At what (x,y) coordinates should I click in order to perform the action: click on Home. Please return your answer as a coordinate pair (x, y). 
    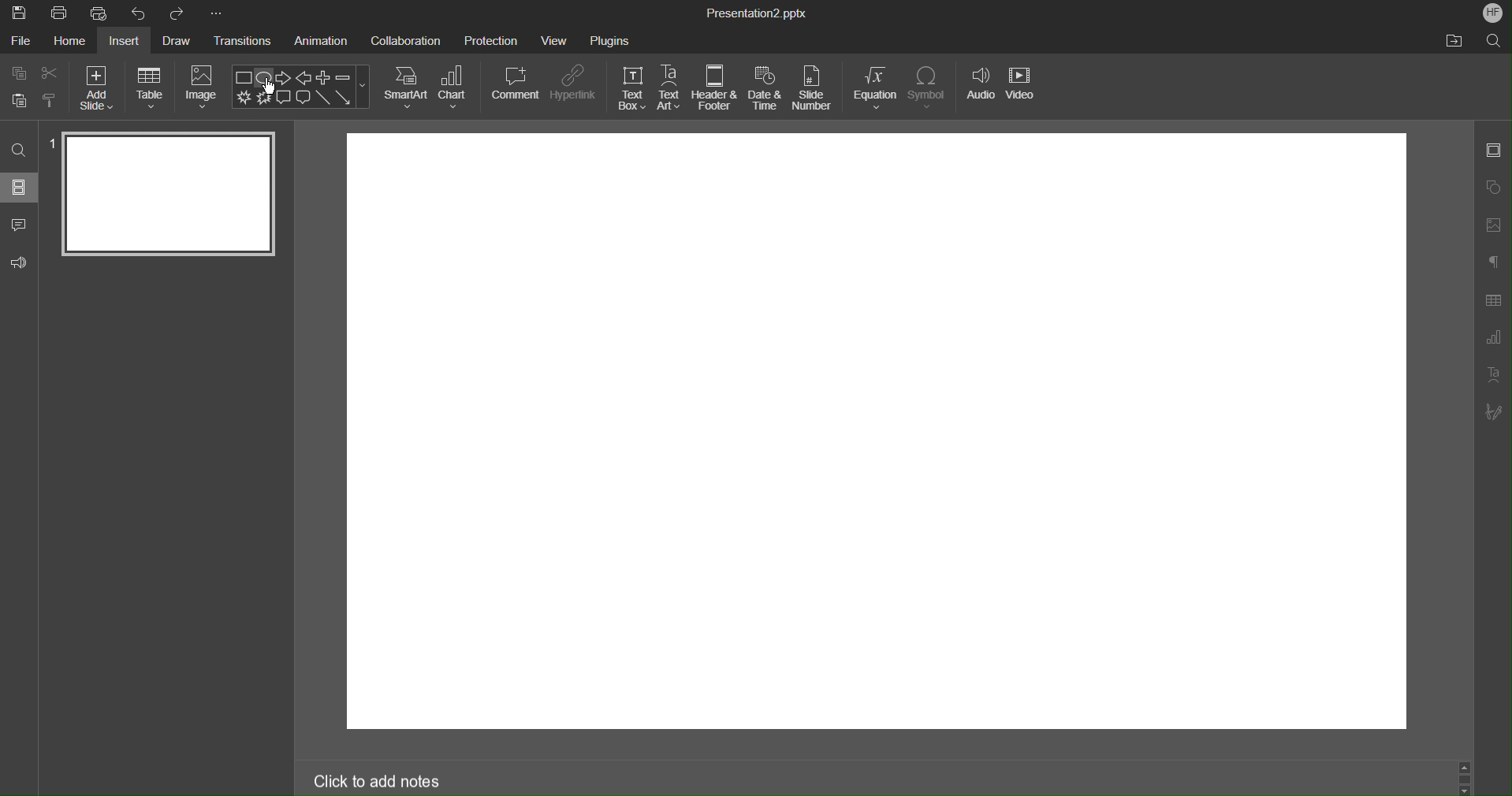
    Looking at the image, I should click on (68, 42).